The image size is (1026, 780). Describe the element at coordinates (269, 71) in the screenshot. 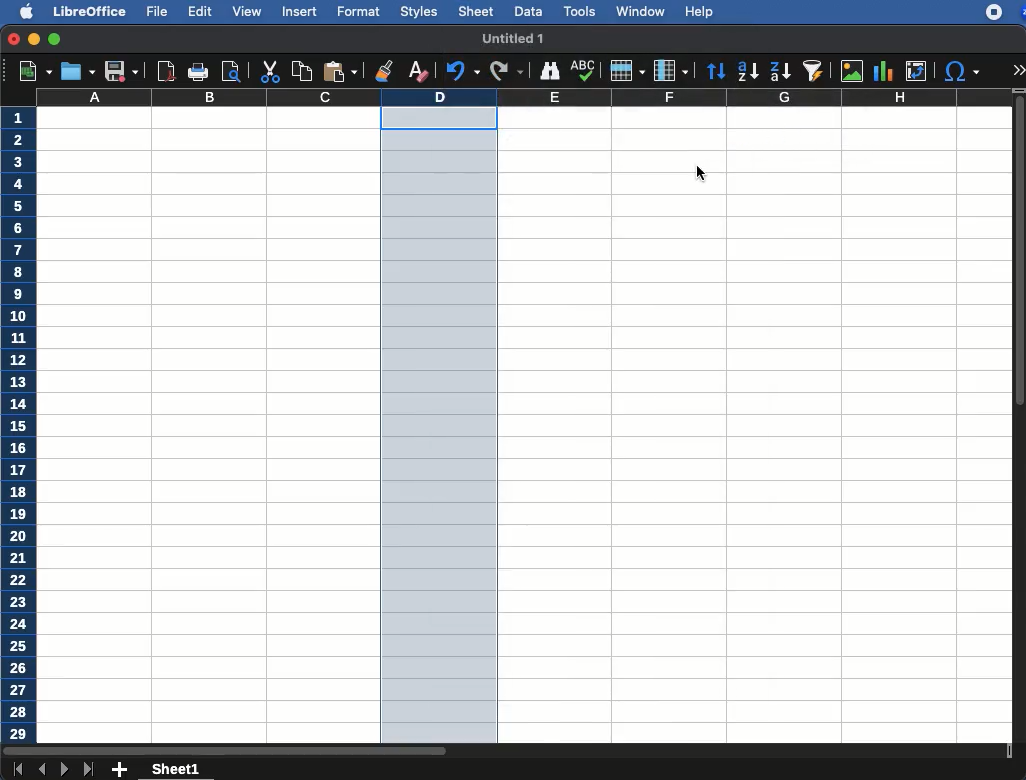

I see `cut` at that location.